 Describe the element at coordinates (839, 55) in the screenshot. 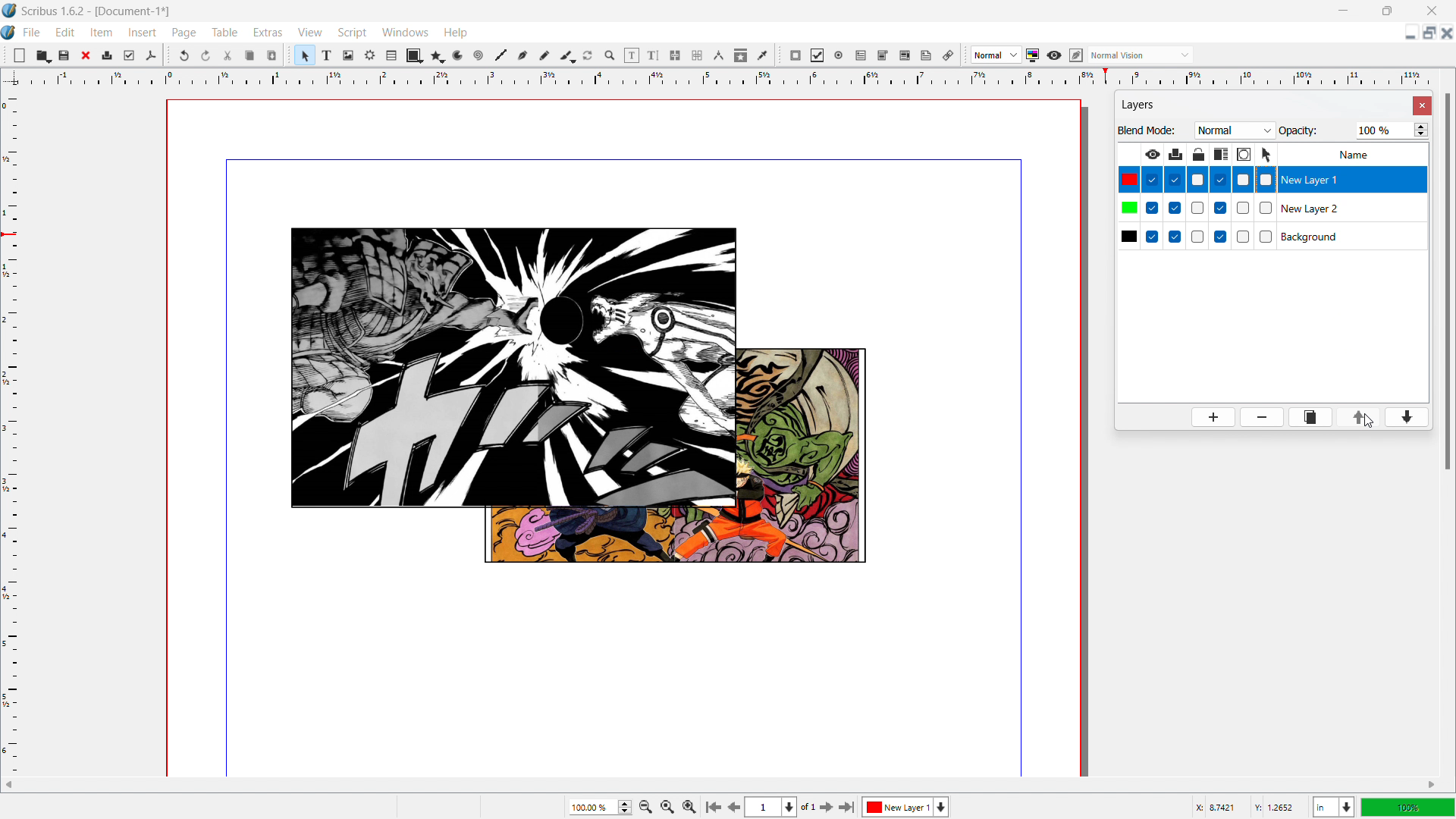

I see `pdf radio button` at that location.